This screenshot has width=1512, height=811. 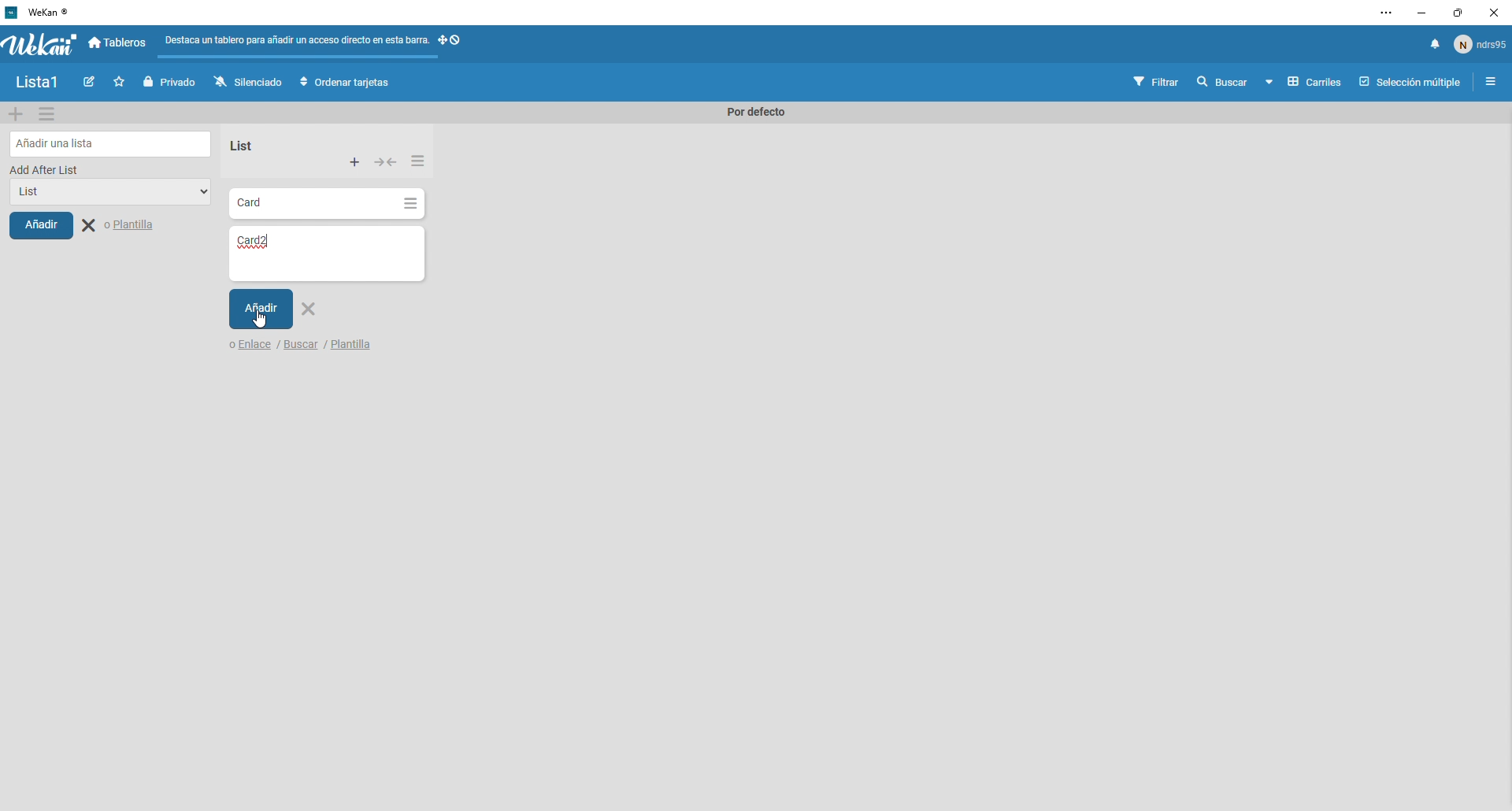 What do you see at coordinates (355, 163) in the screenshot?
I see `More` at bounding box center [355, 163].